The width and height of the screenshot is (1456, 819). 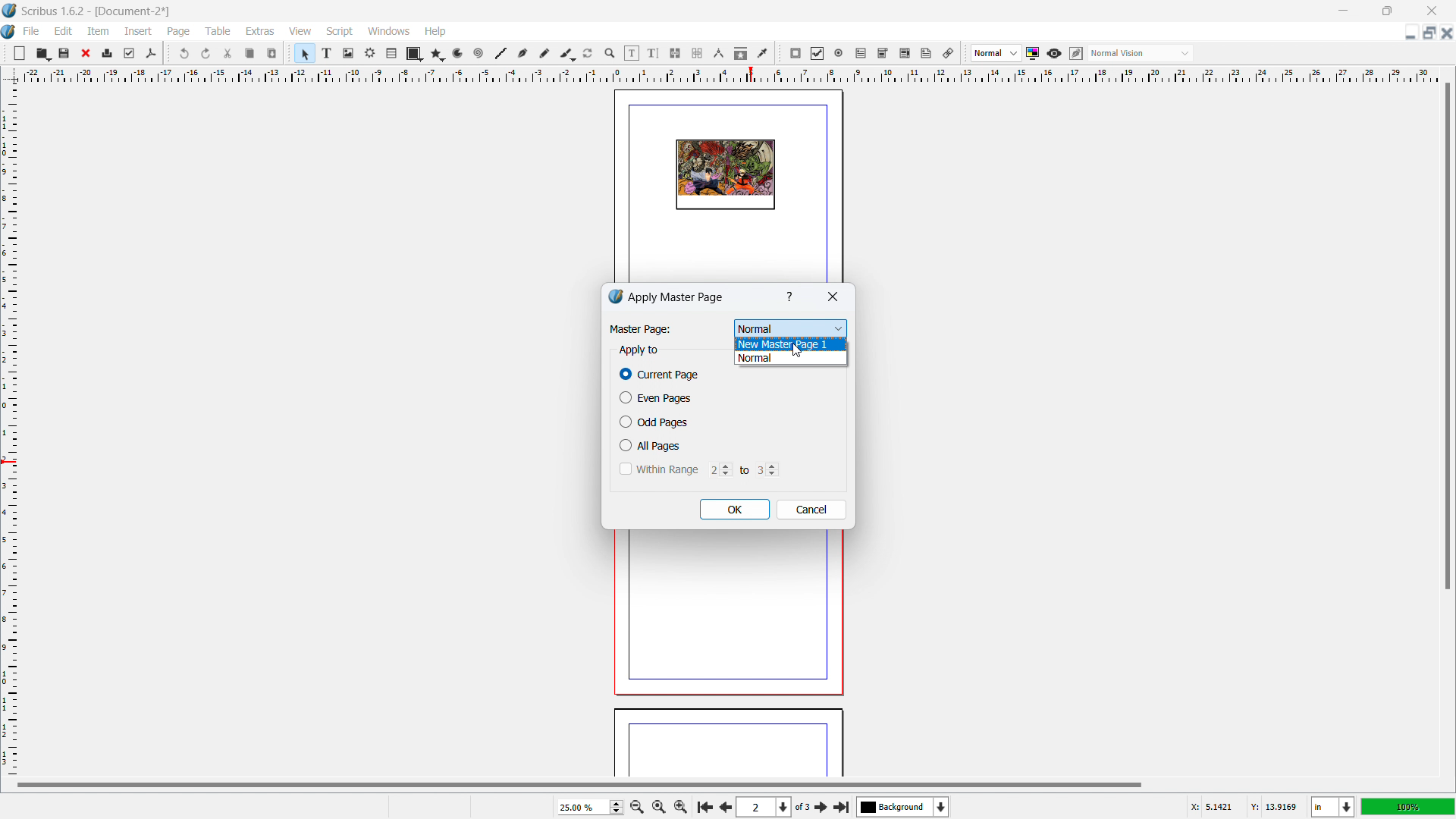 I want to click on print, so click(x=108, y=52).